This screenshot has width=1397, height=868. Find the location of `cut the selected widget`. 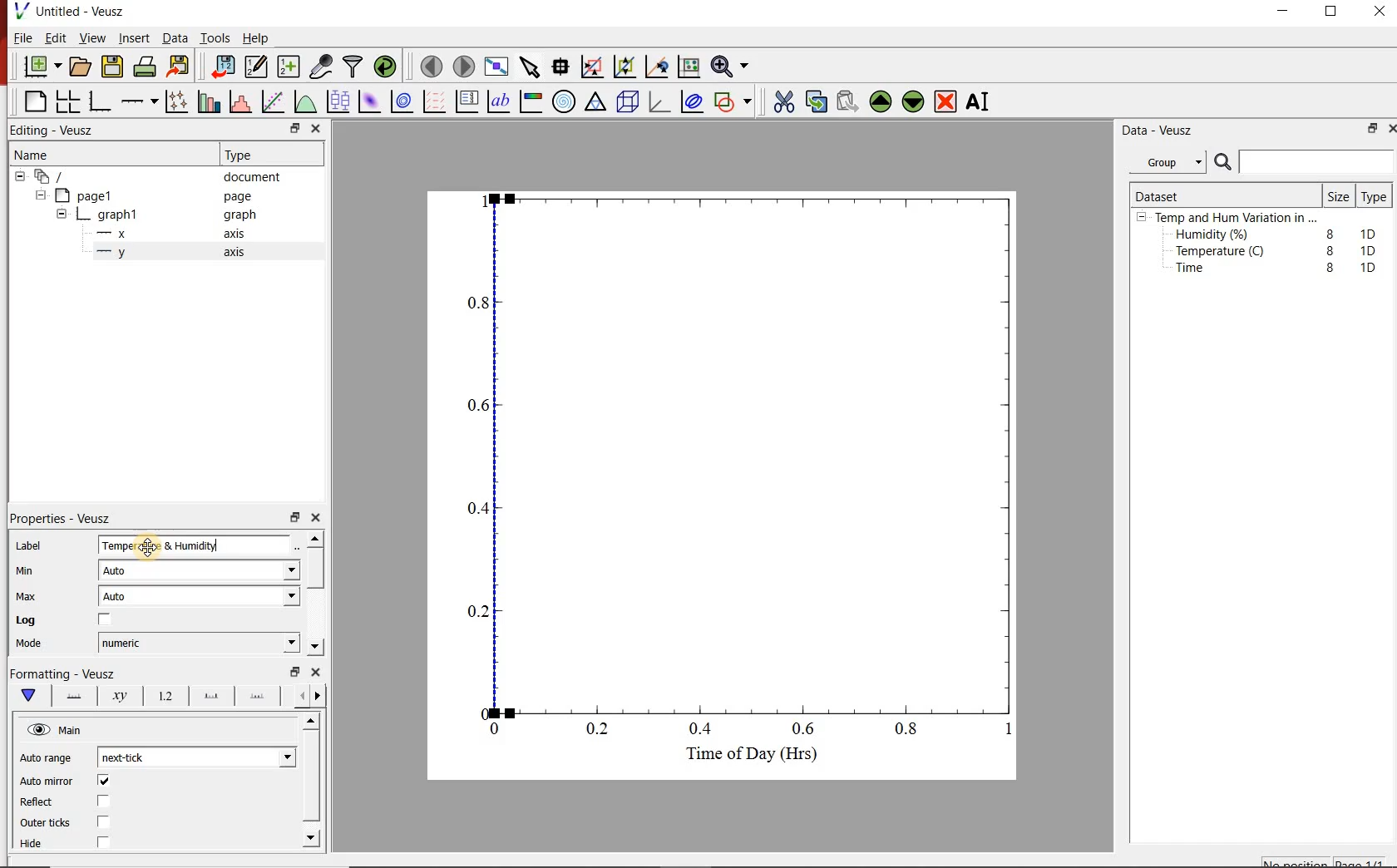

cut the selected widget is located at coordinates (782, 100).